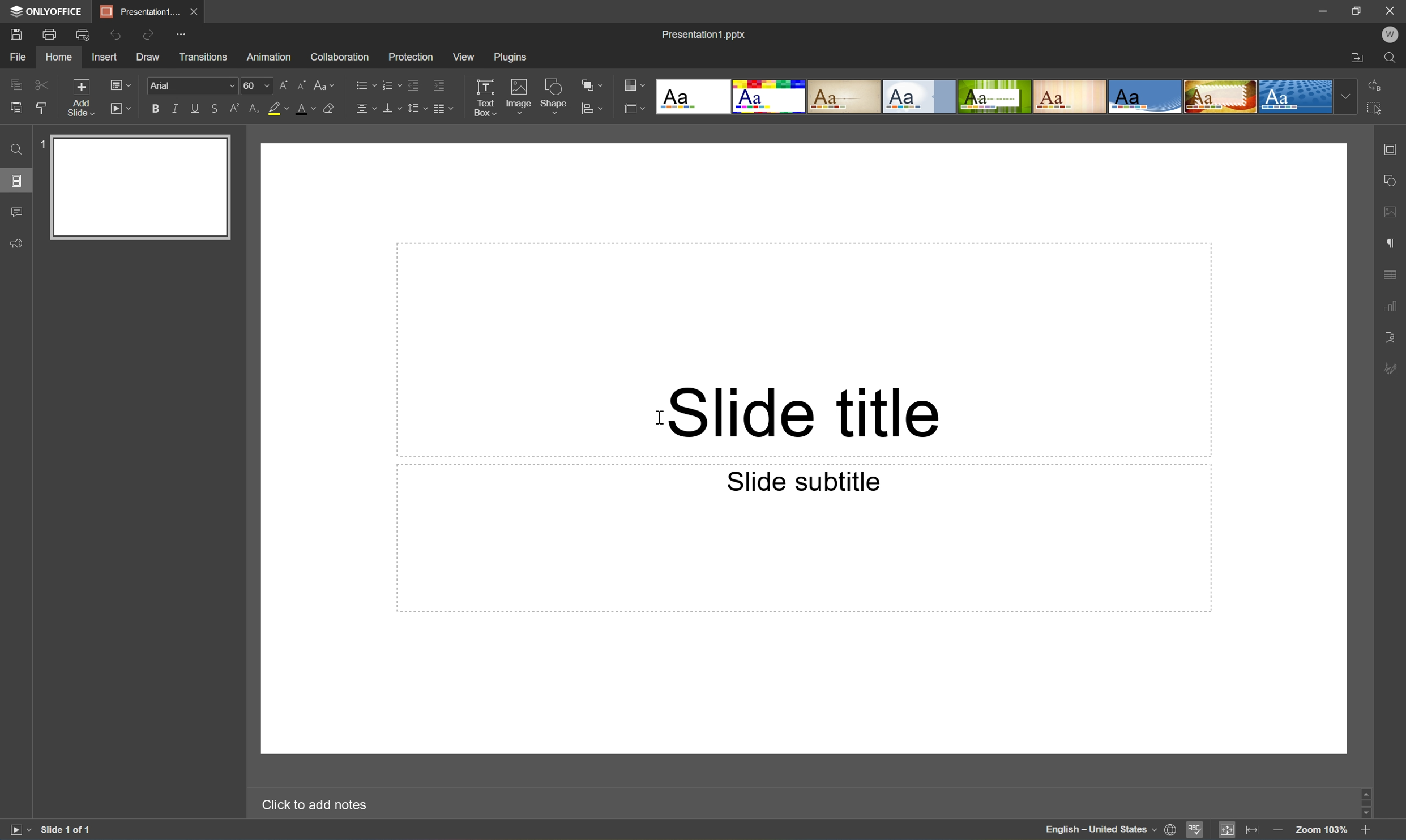 Image resolution: width=1406 pixels, height=840 pixels. Describe the element at coordinates (306, 108) in the screenshot. I see `Font color` at that location.